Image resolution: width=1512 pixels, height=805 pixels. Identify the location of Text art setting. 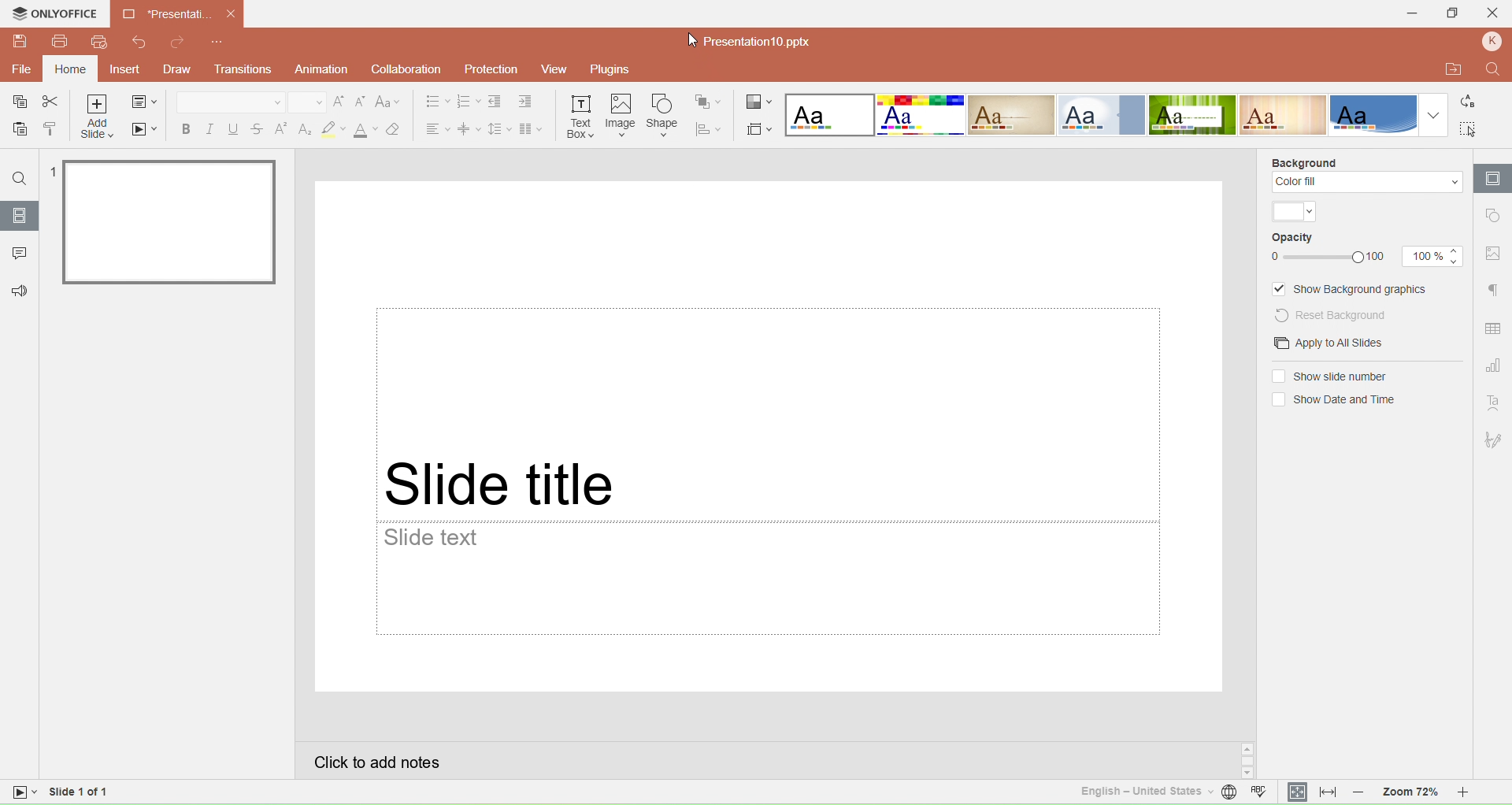
(1494, 403).